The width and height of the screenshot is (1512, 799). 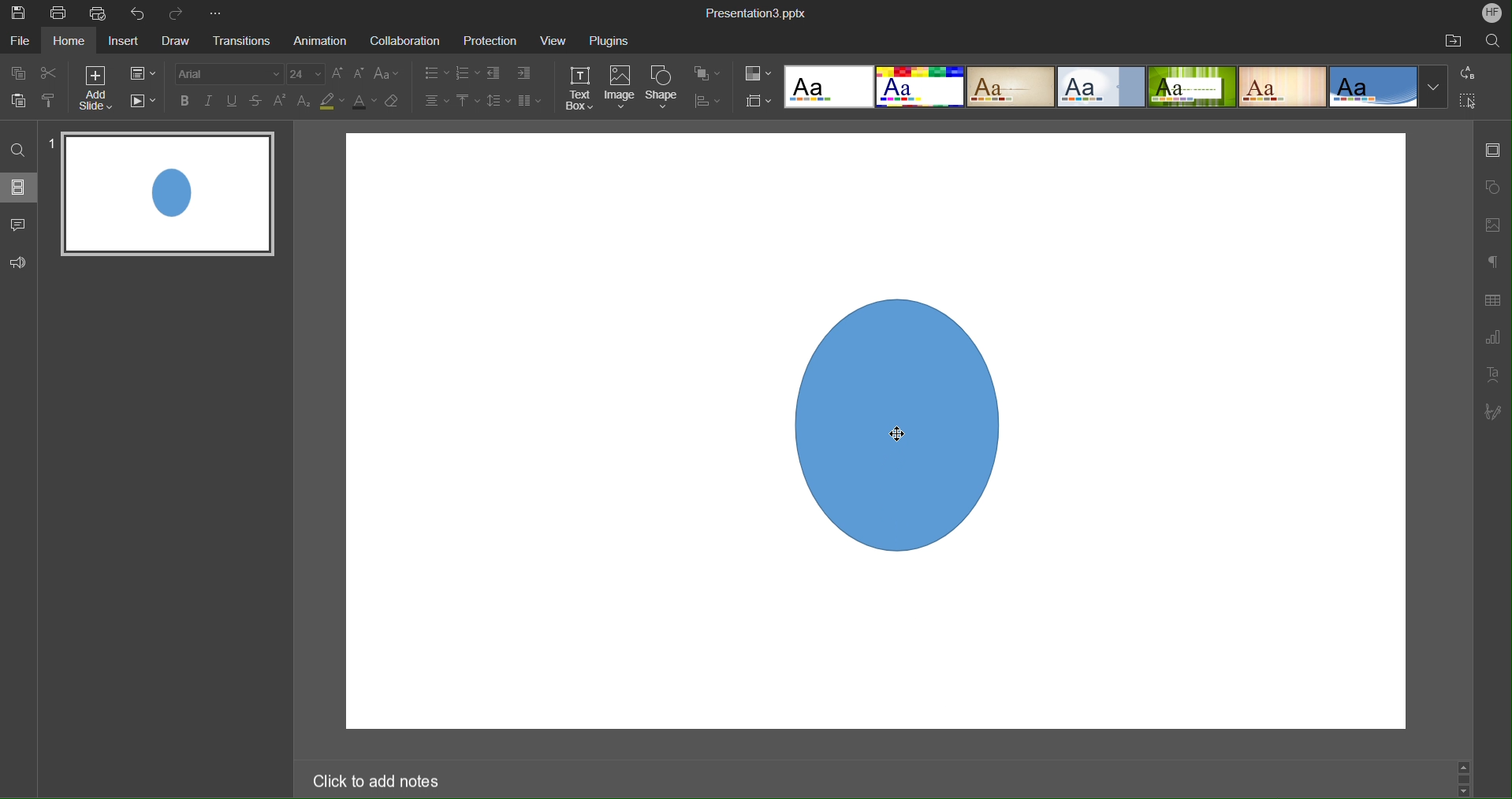 I want to click on Replace, so click(x=1465, y=72).